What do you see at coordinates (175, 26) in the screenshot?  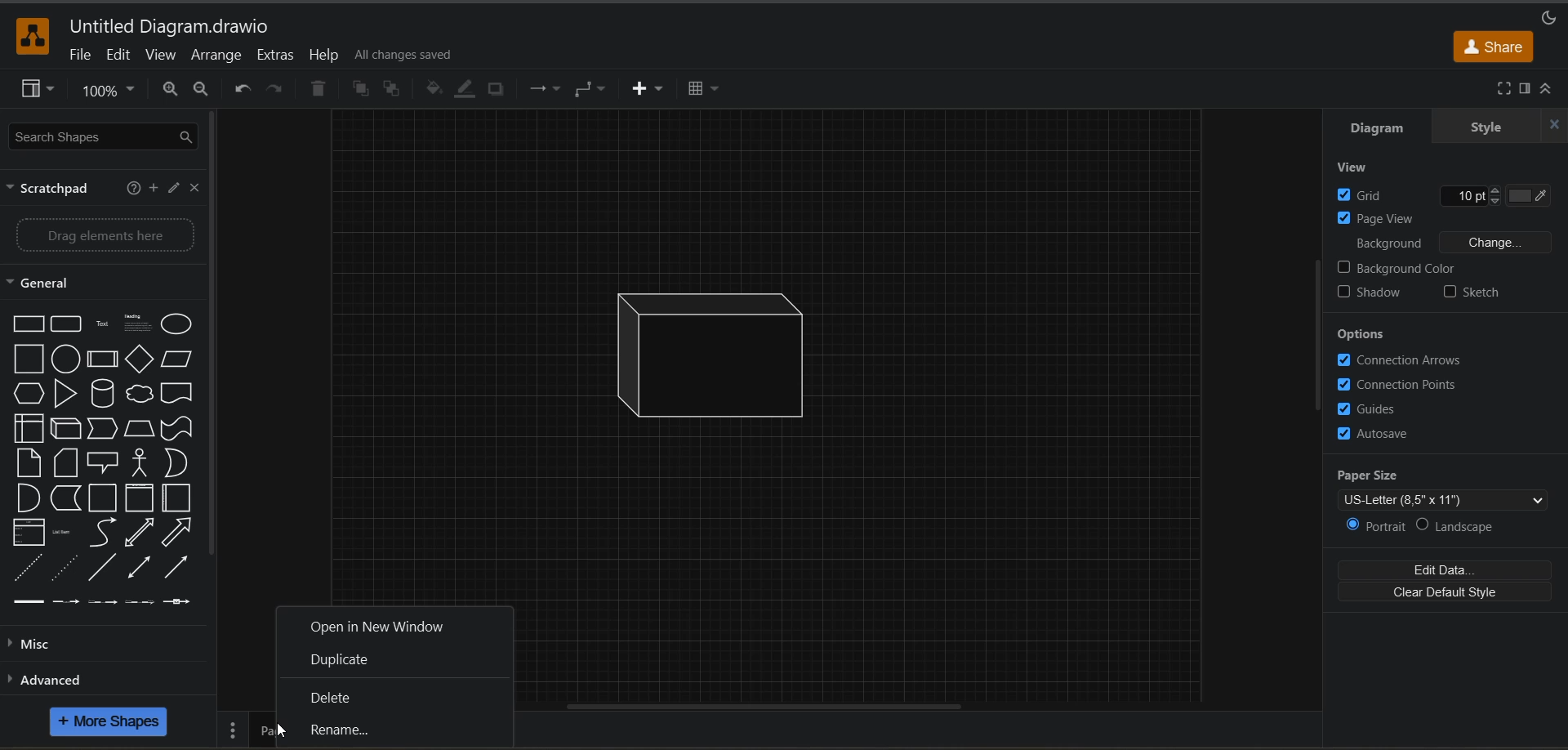 I see `file name - Untitled Diagram.drawio` at bounding box center [175, 26].